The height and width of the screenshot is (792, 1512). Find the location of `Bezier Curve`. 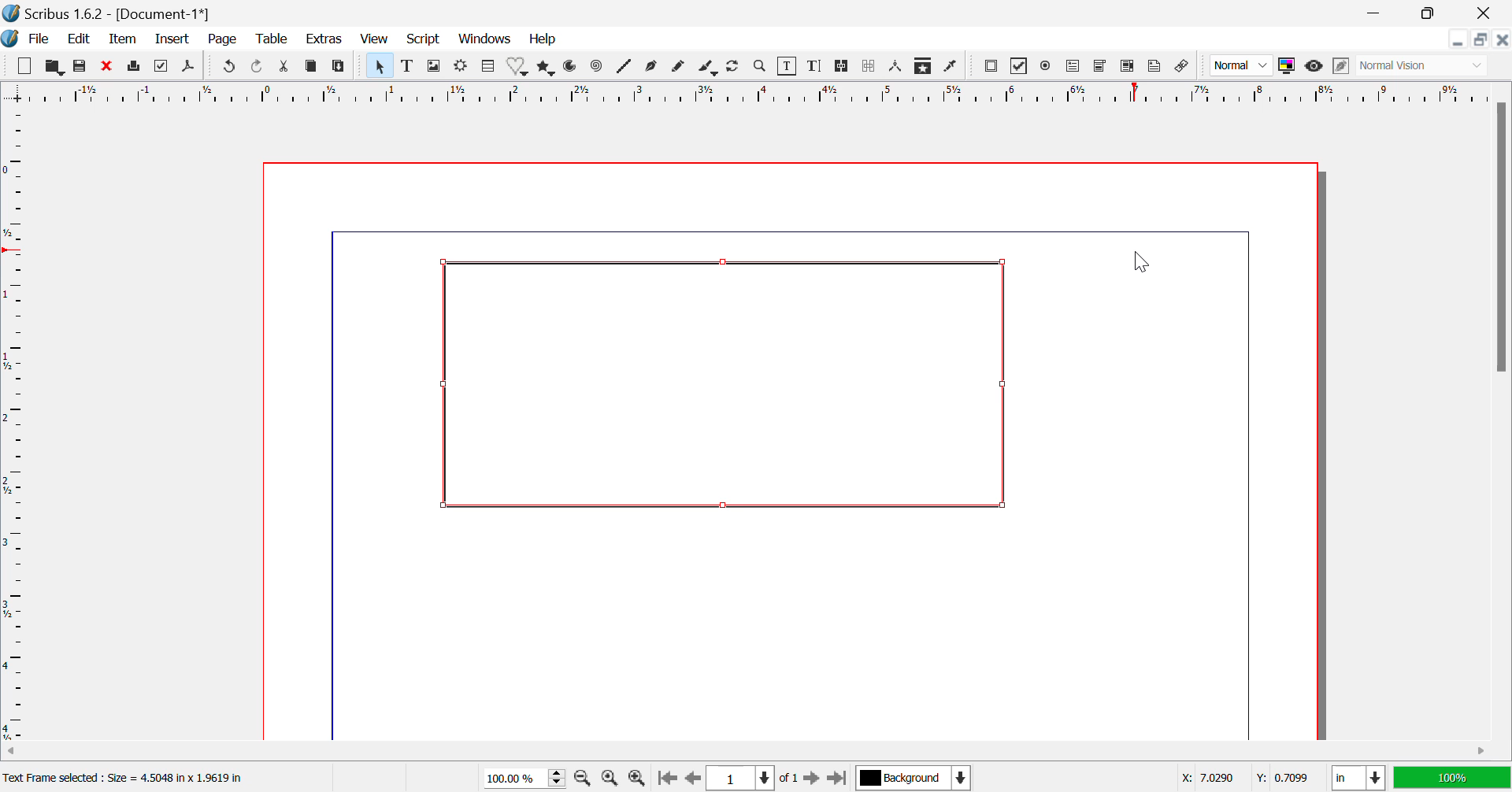

Bezier Curve is located at coordinates (654, 68).